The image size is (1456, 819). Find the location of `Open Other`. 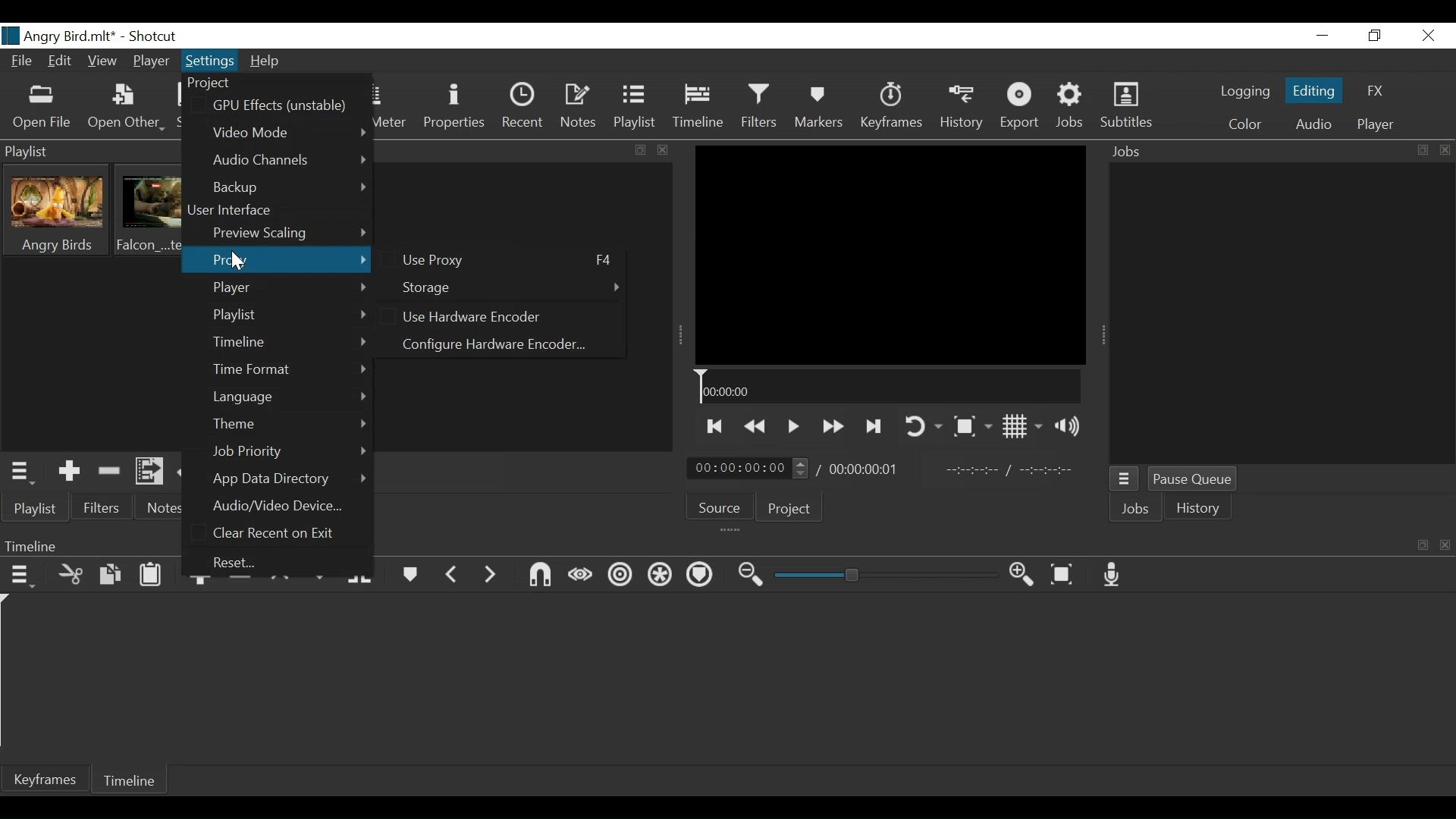

Open Other is located at coordinates (125, 108).